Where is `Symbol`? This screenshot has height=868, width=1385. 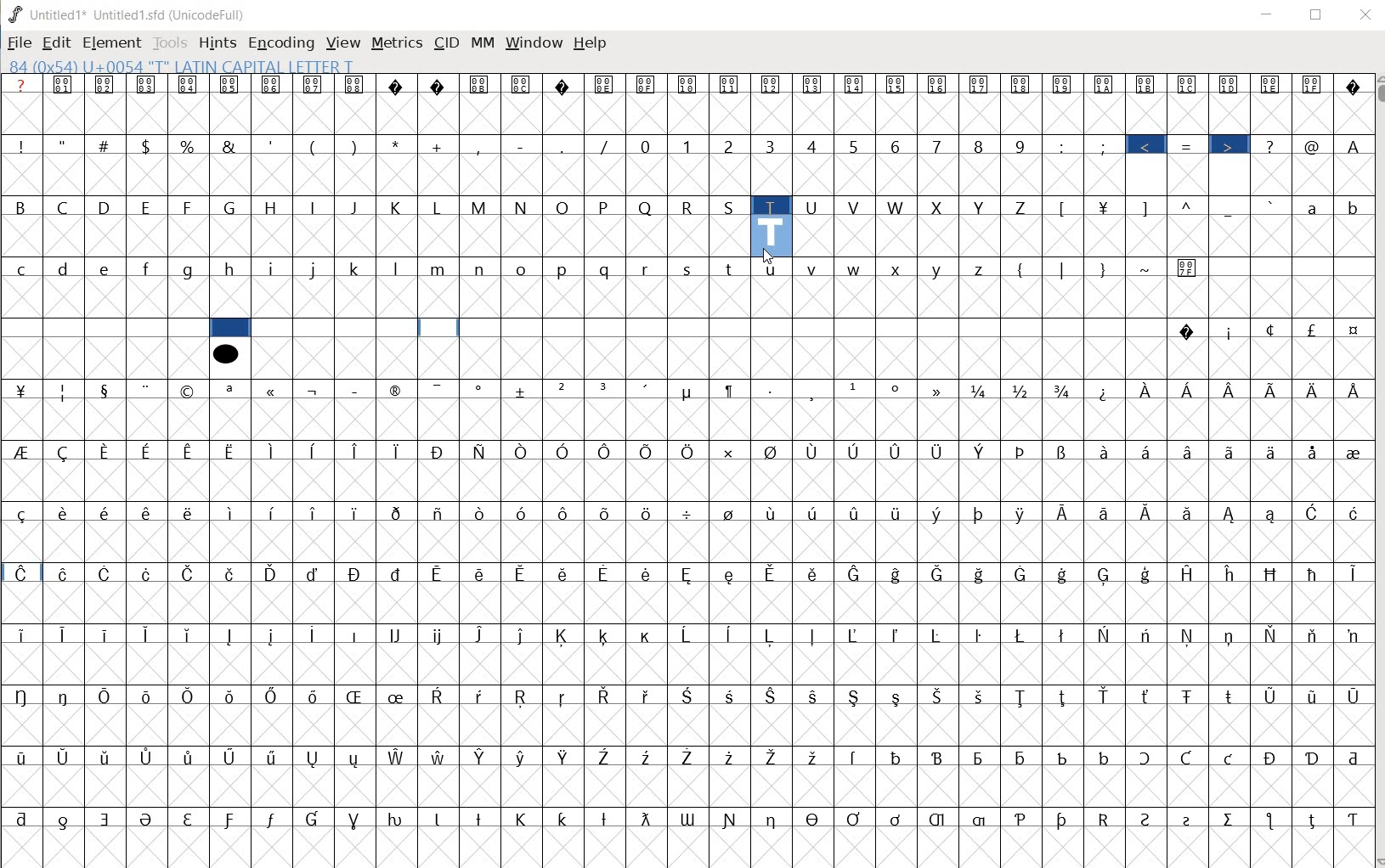
Symbol is located at coordinates (856, 695).